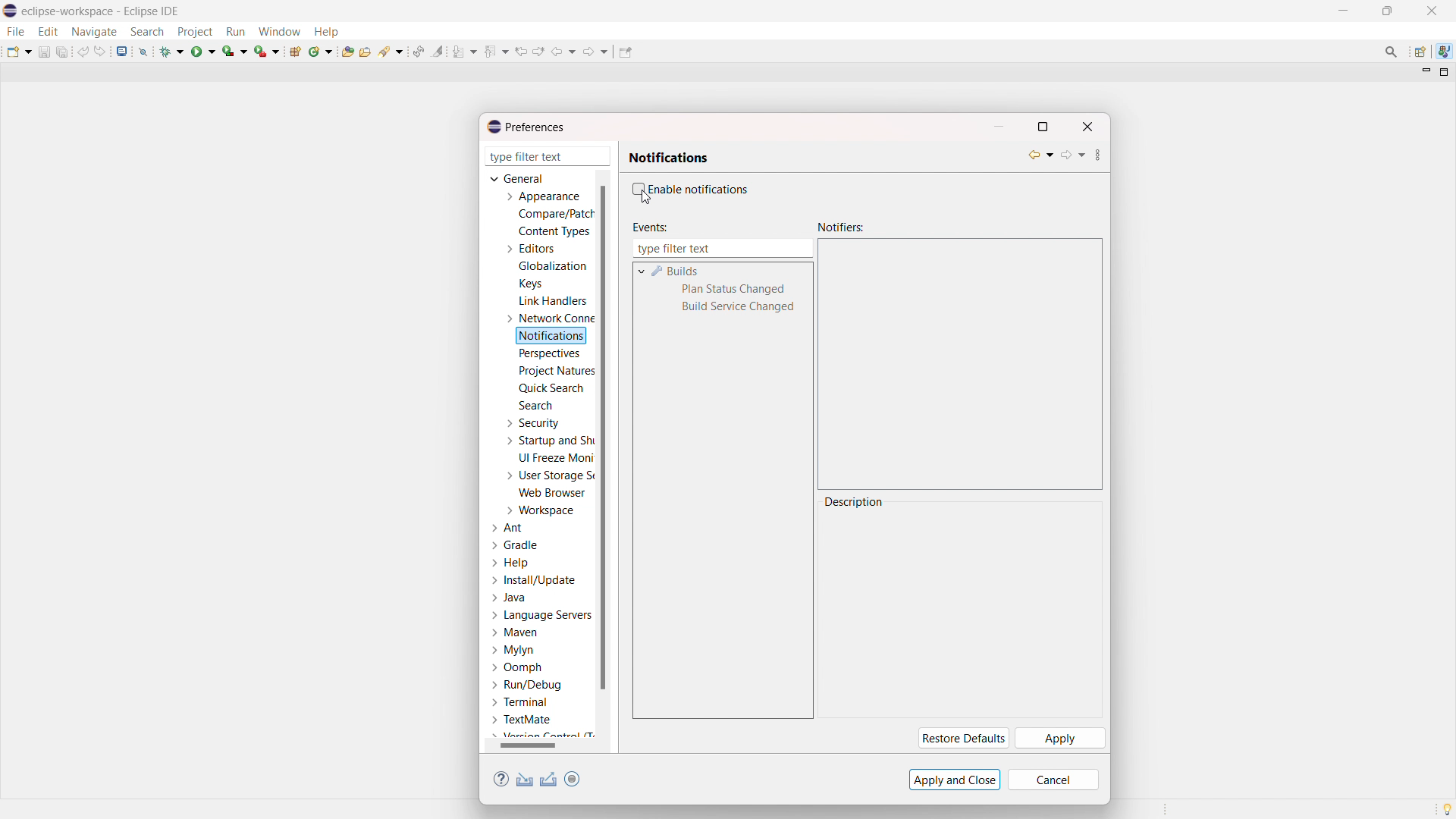  I want to click on maximize, so click(1387, 11).